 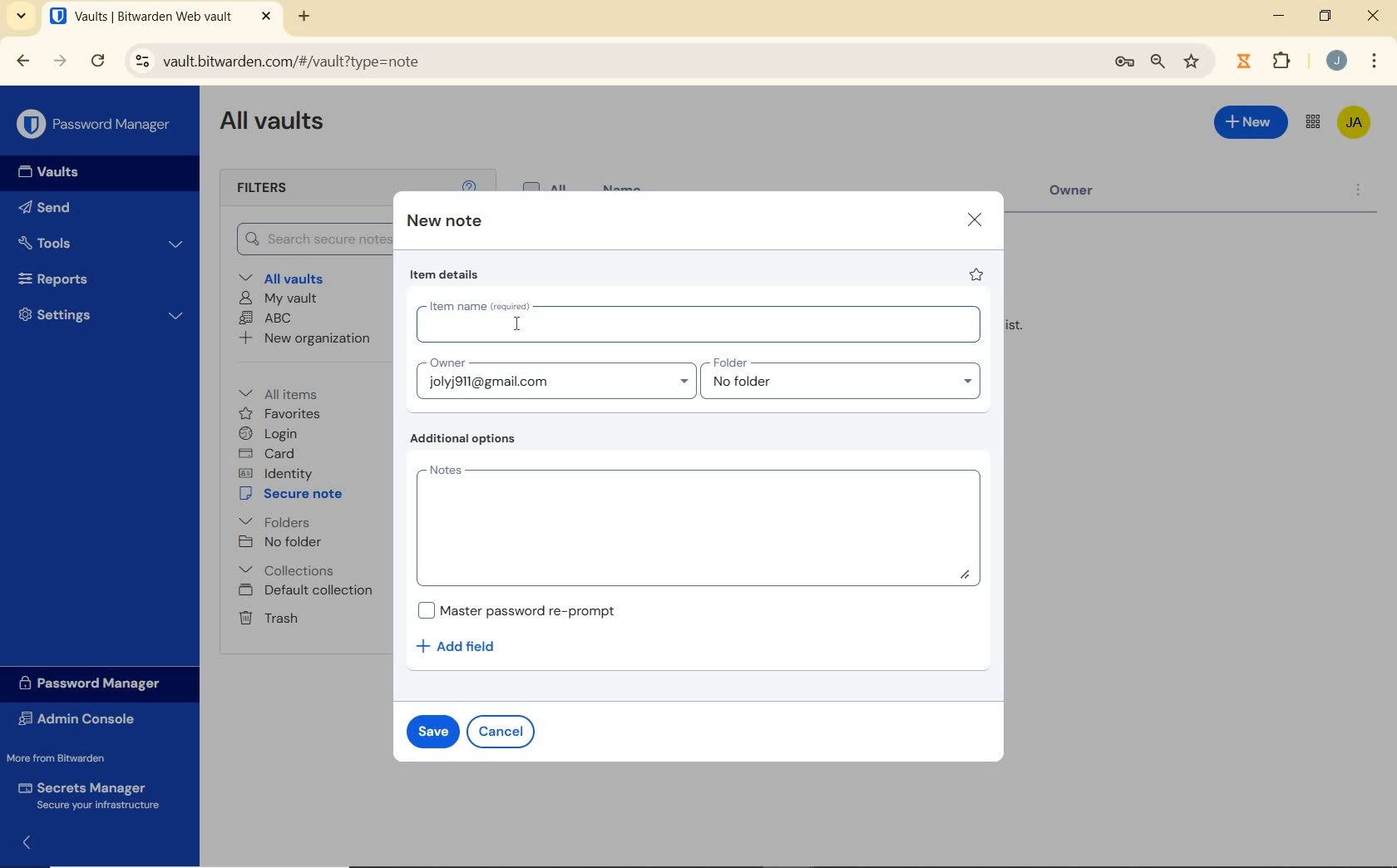 What do you see at coordinates (432, 730) in the screenshot?
I see `save` at bounding box center [432, 730].